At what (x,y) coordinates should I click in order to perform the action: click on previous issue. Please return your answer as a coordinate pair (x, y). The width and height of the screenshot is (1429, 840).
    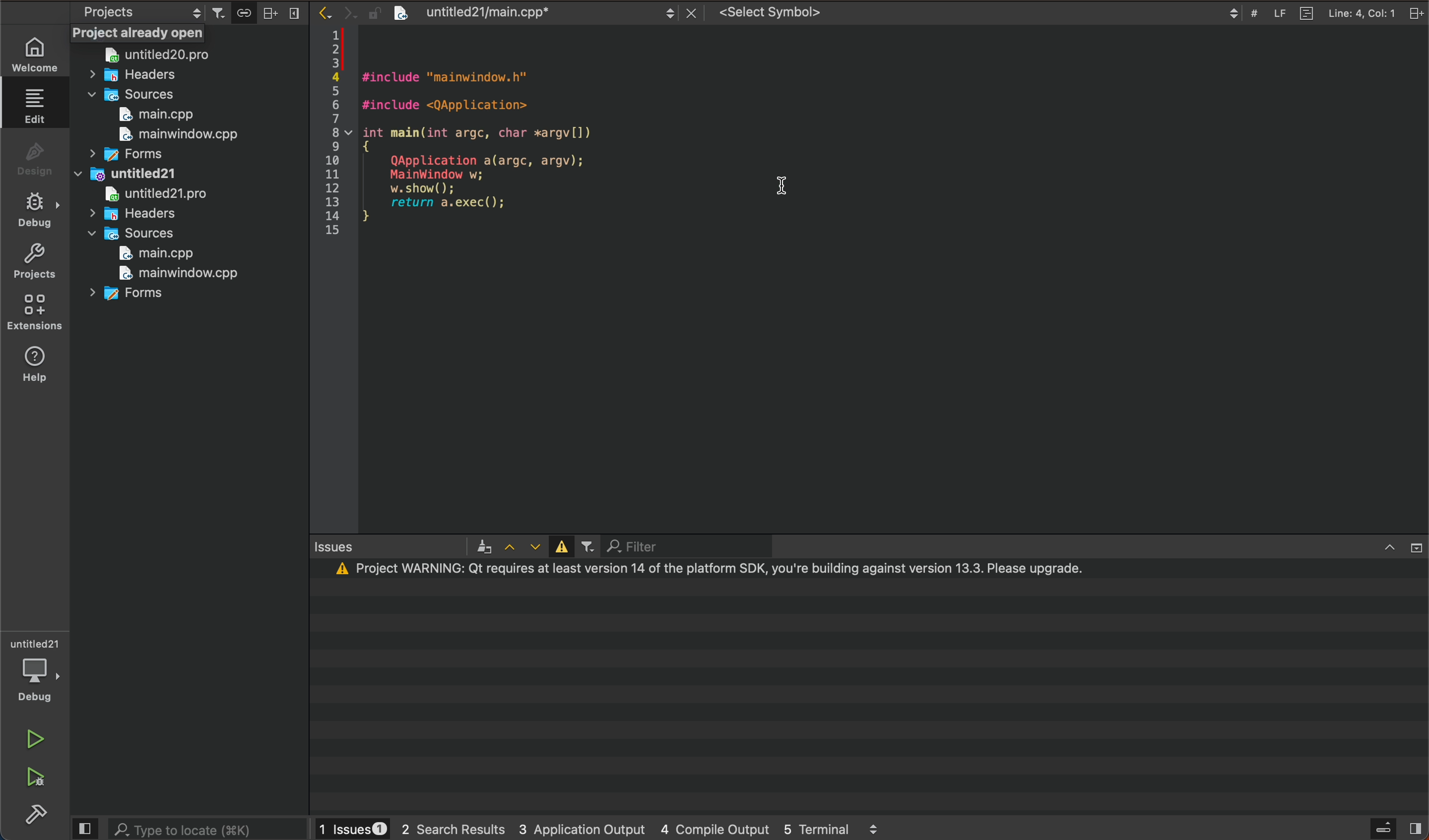
    Looking at the image, I should click on (511, 548).